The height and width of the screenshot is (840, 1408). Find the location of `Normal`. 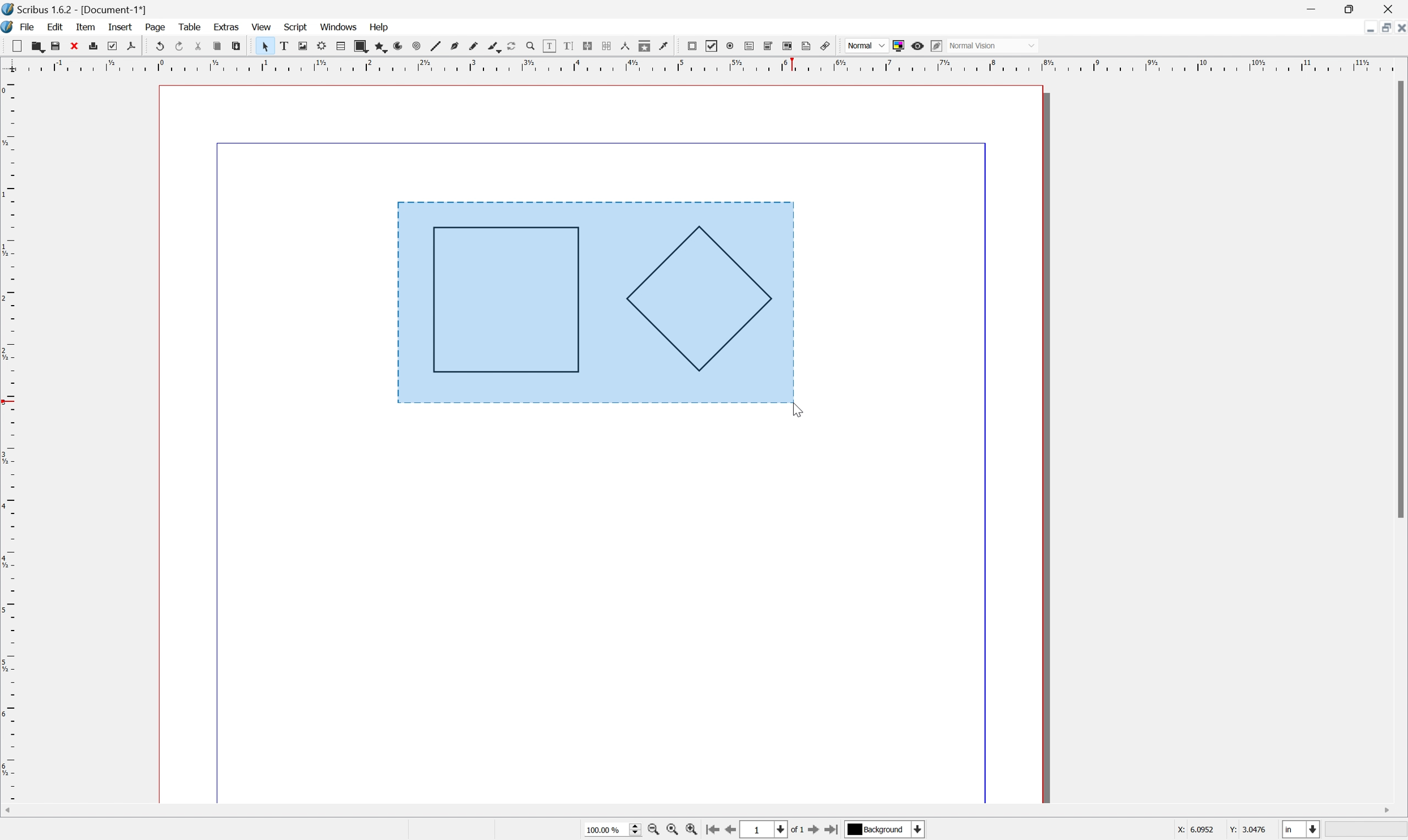

Normal is located at coordinates (866, 45).